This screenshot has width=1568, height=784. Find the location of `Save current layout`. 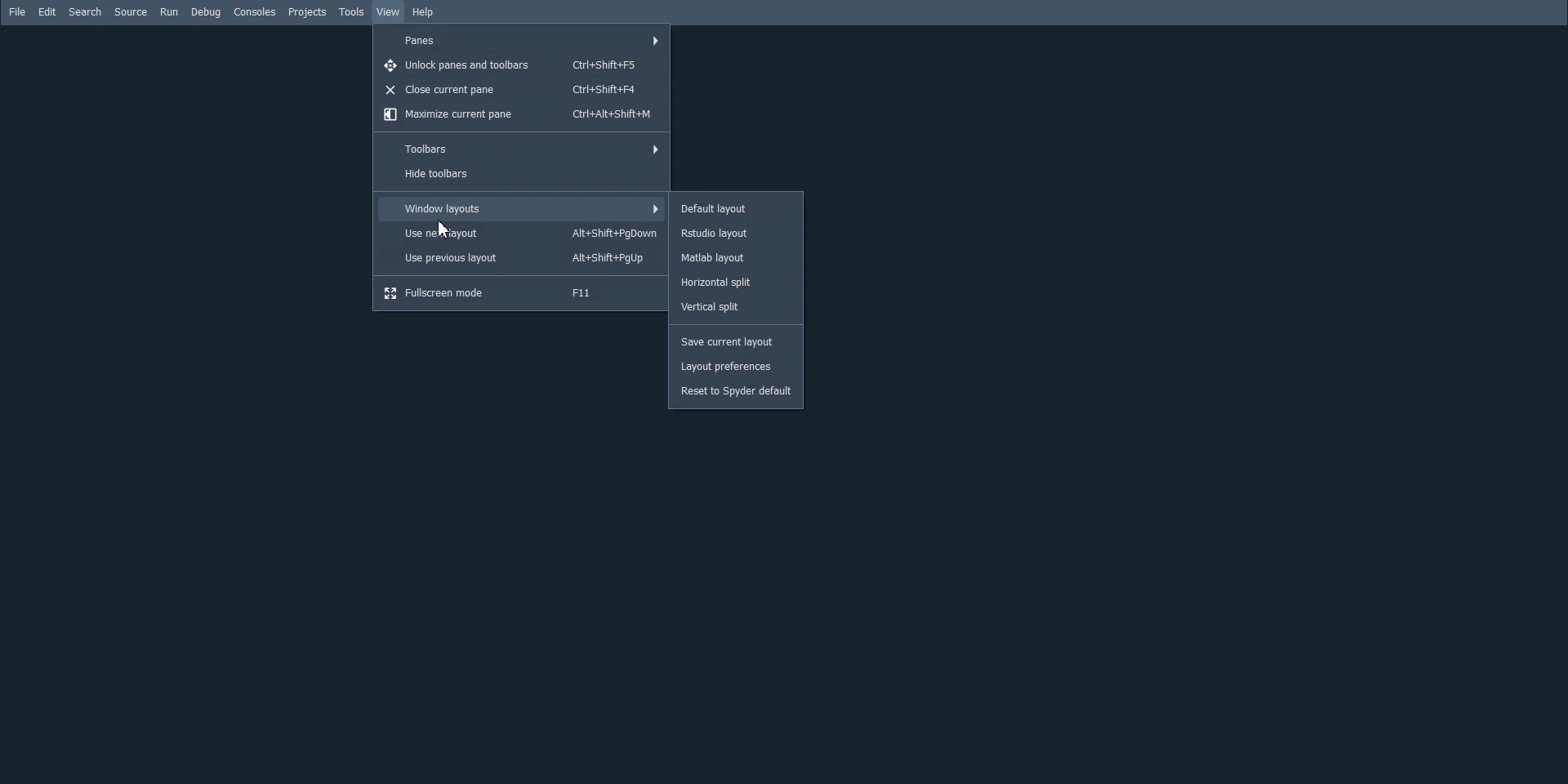

Save current layout is located at coordinates (736, 341).